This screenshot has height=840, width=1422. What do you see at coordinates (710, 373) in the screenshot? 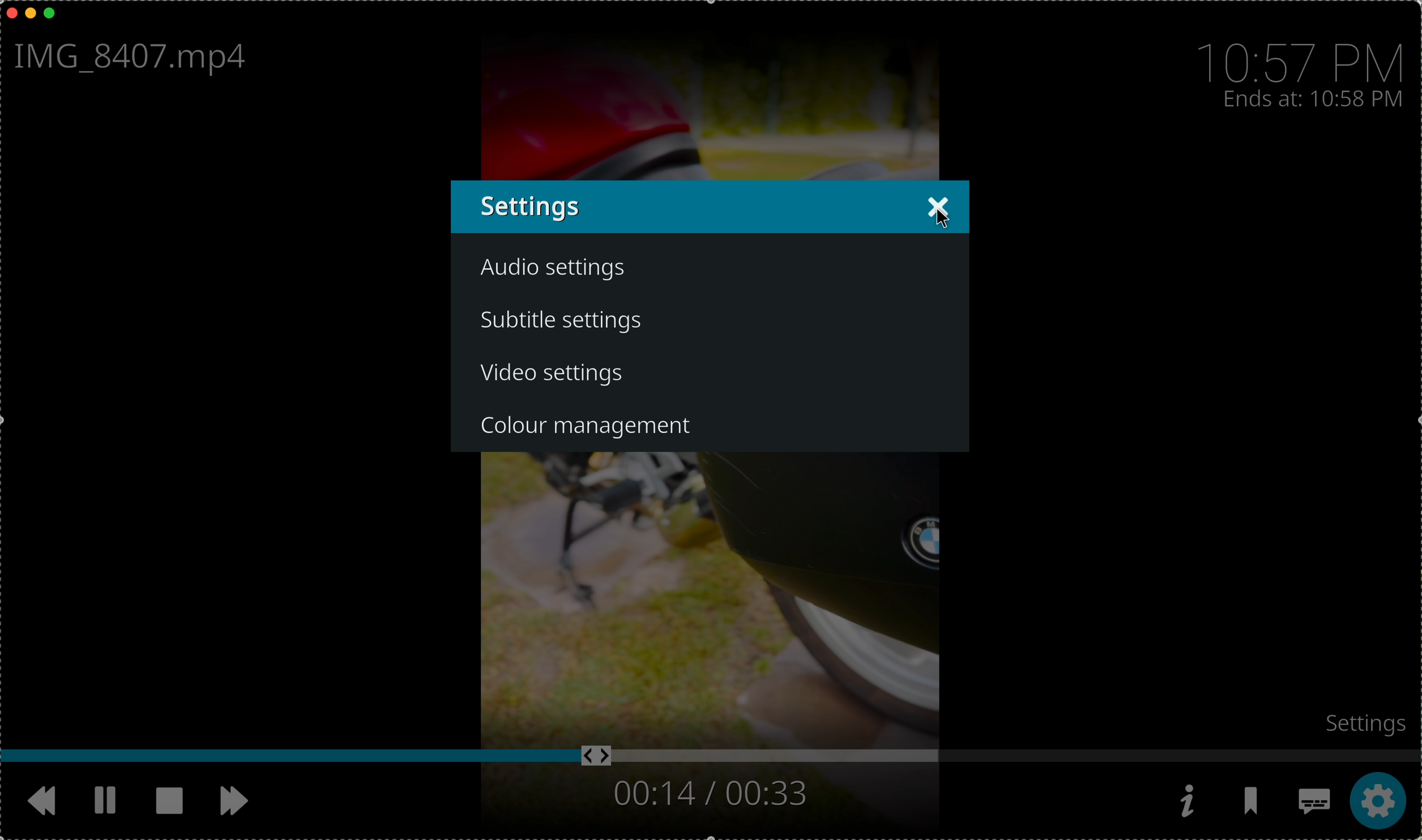
I see `video settings` at bounding box center [710, 373].